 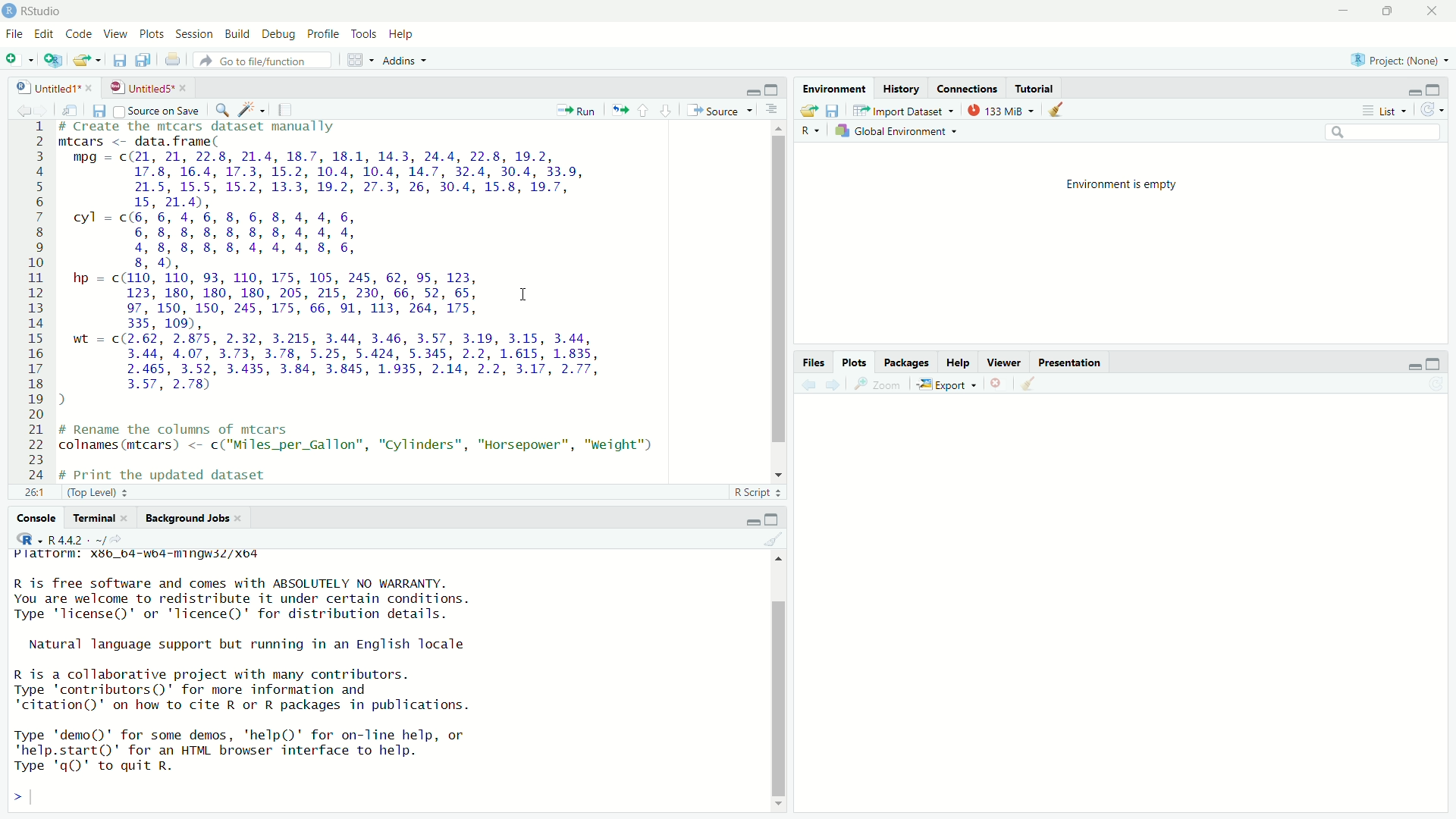 I want to click on clear, so click(x=773, y=538).